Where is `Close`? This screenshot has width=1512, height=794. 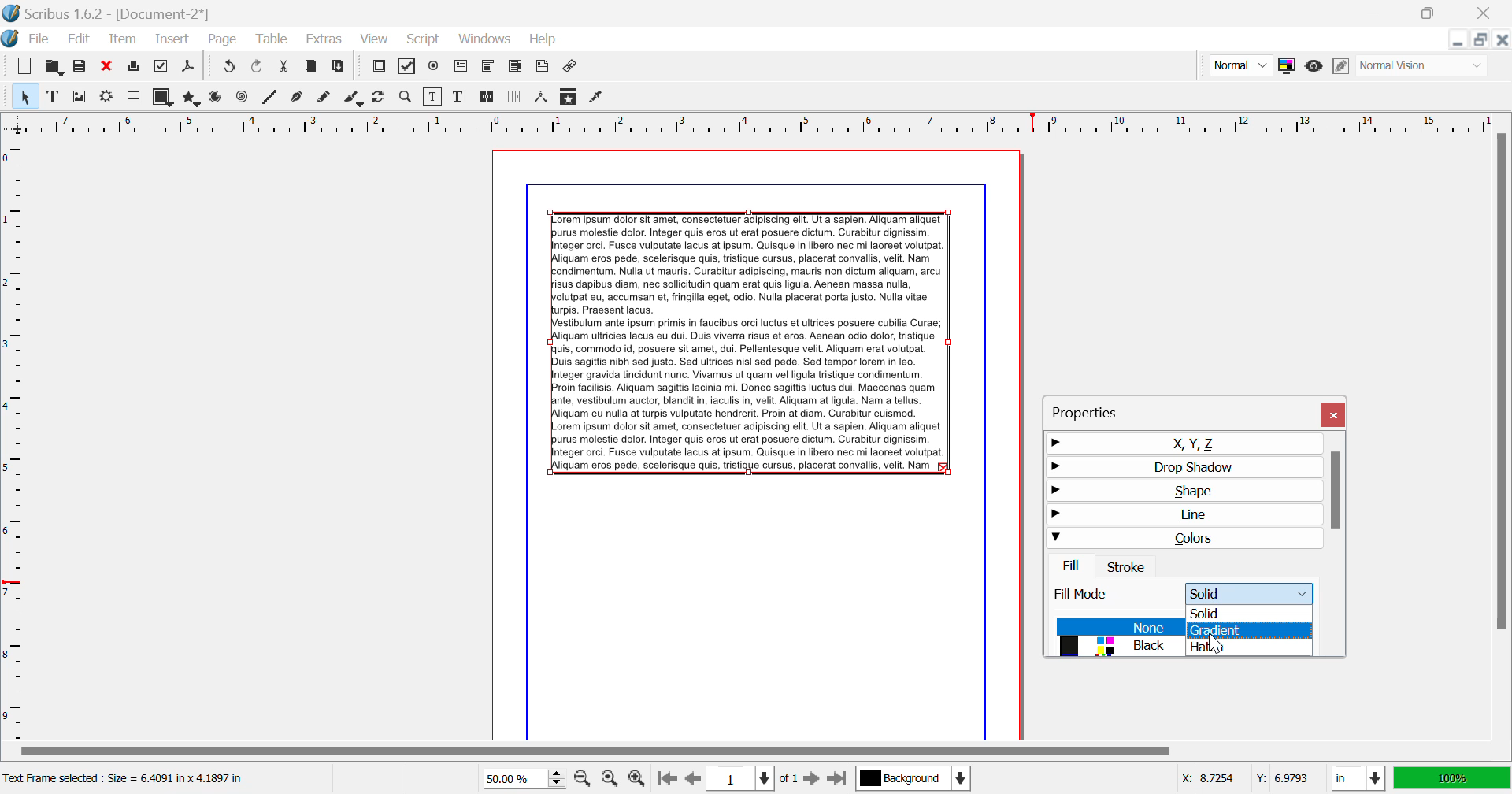
Close is located at coordinates (1488, 13).